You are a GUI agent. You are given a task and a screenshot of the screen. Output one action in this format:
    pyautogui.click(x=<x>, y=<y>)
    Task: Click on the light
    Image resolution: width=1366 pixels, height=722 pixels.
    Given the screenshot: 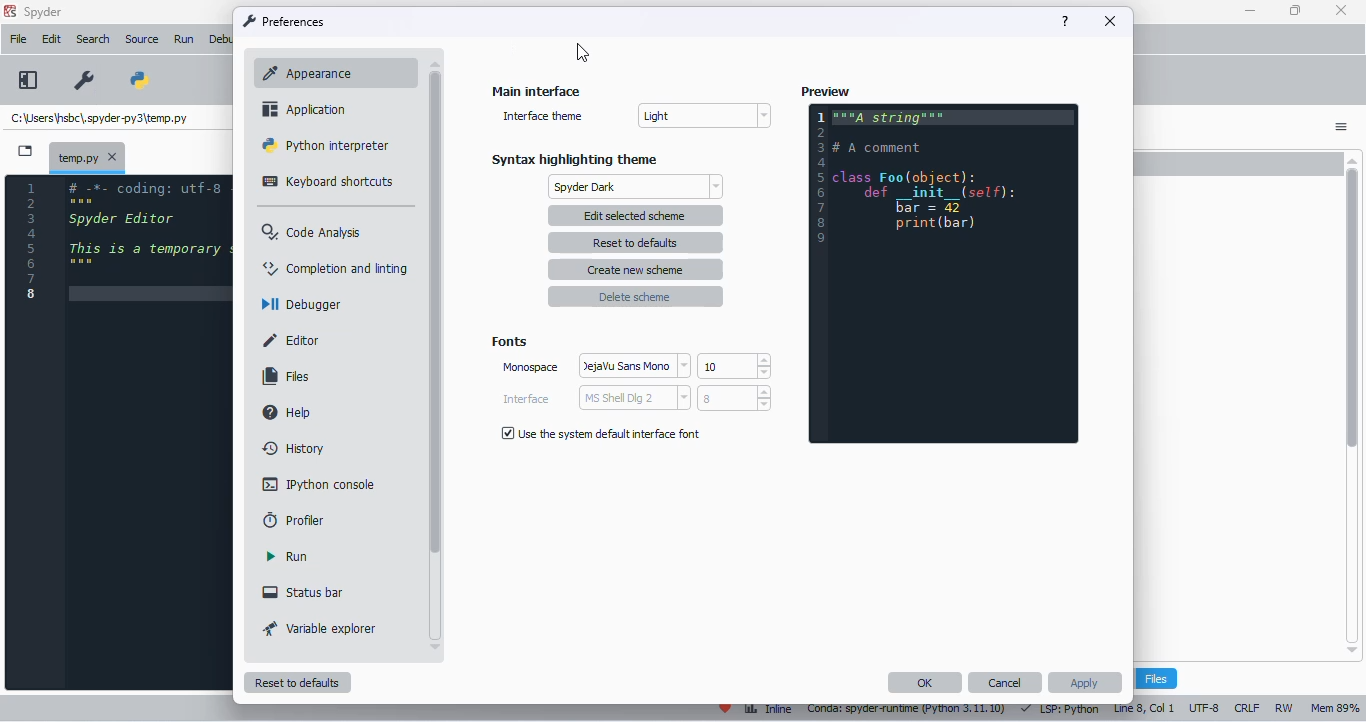 What is the action you would take?
    pyautogui.click(x=703, y=116)
    